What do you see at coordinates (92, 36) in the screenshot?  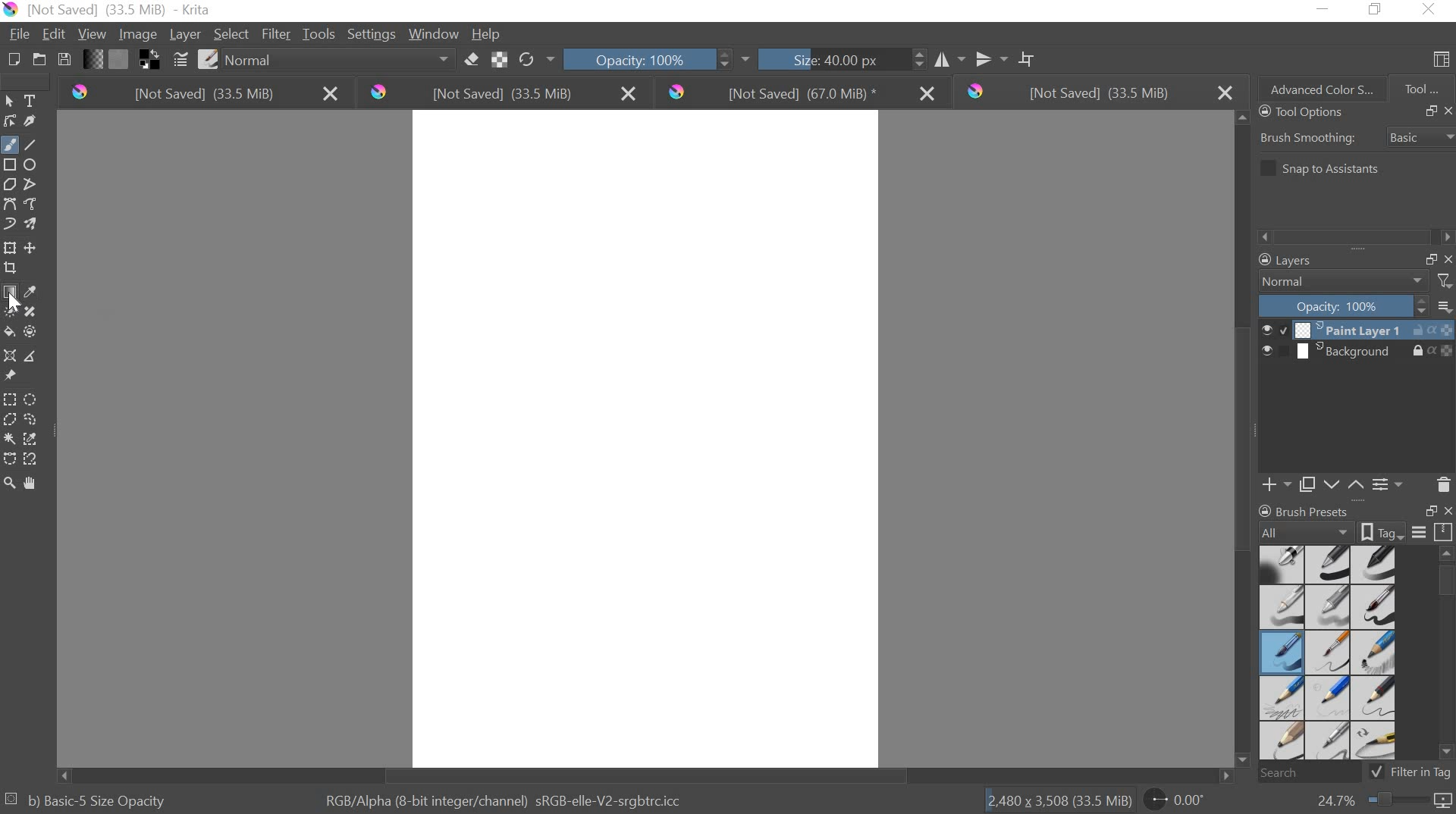 I see `VIEW` at bounding box center [92, 36].